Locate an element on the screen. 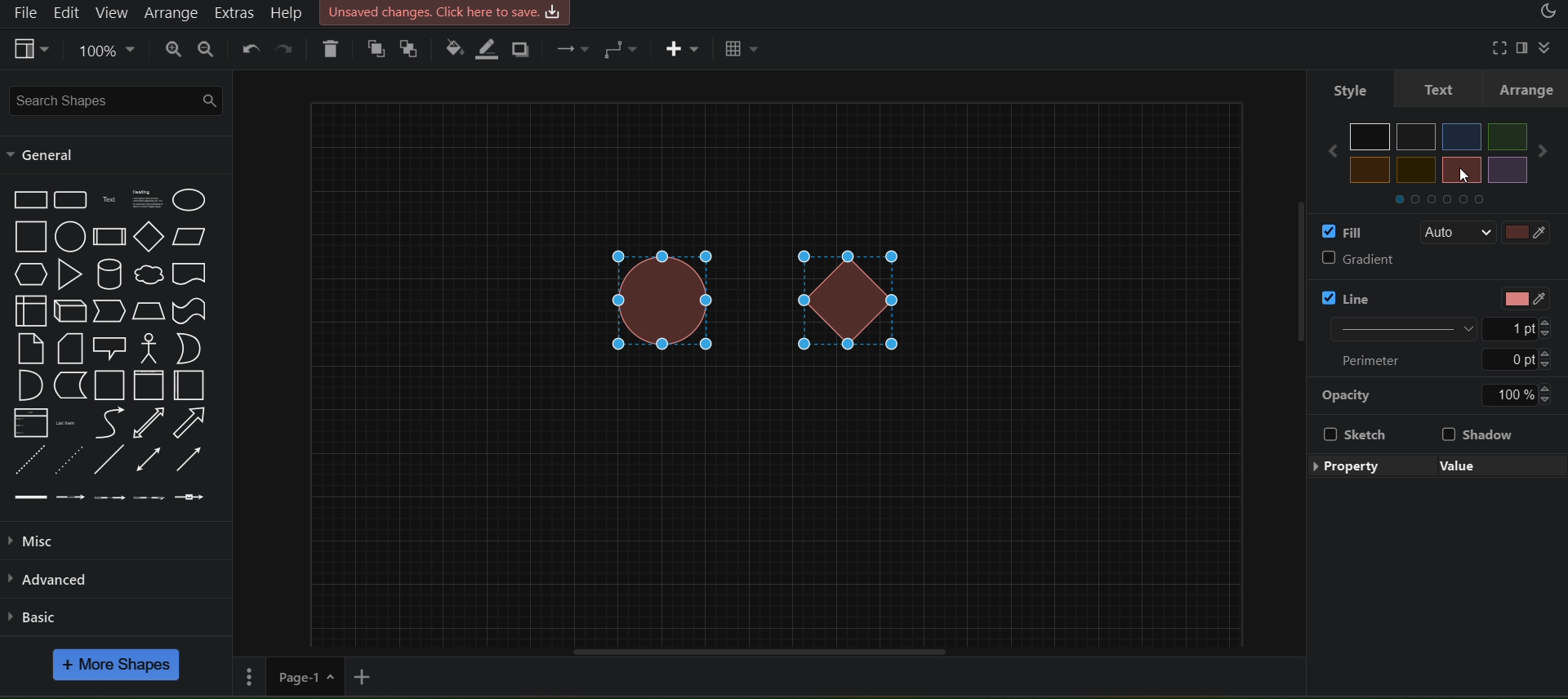   is located at coordinates (1463, 136).